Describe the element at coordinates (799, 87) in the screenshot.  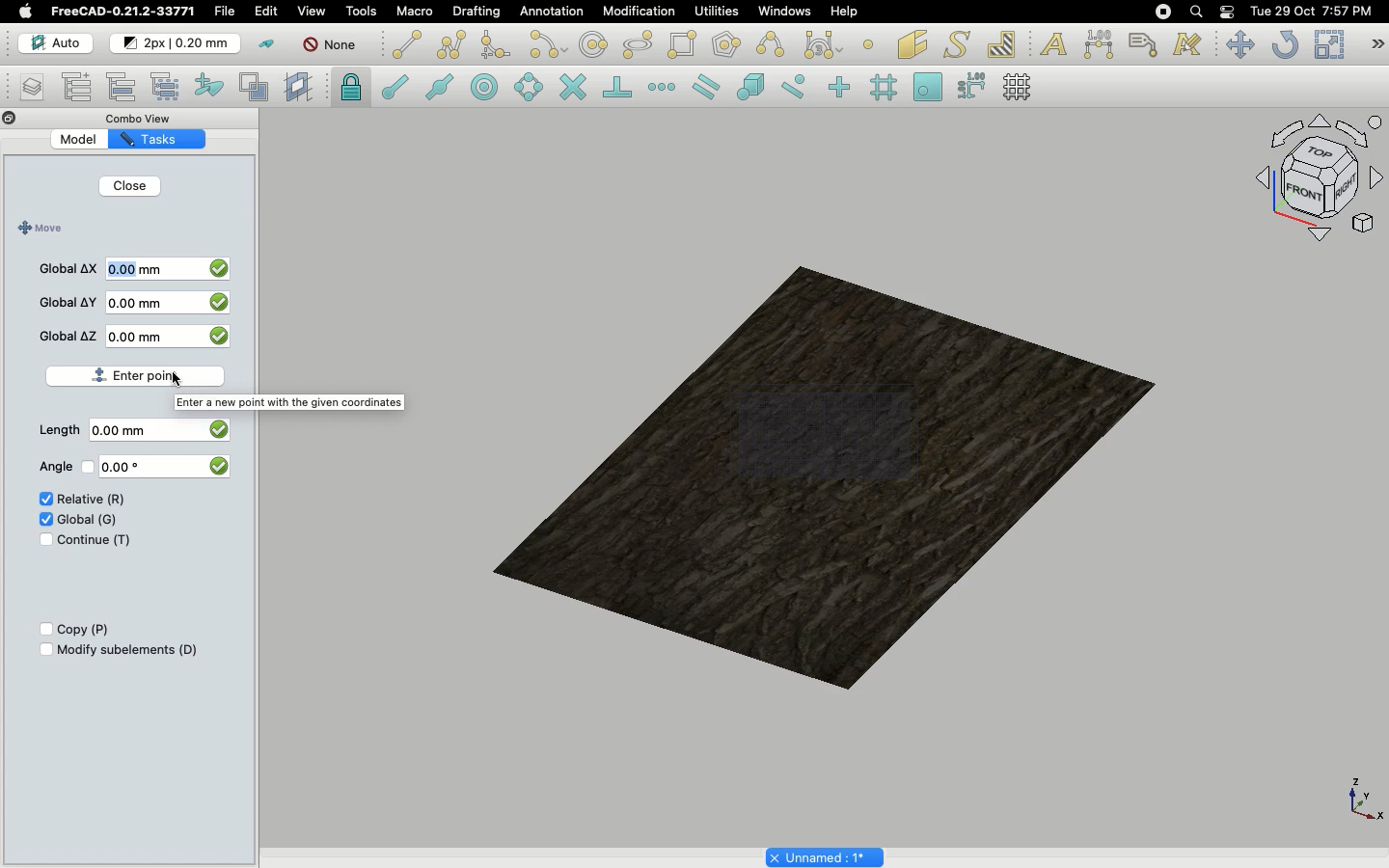
I see `Snap near` at that location.